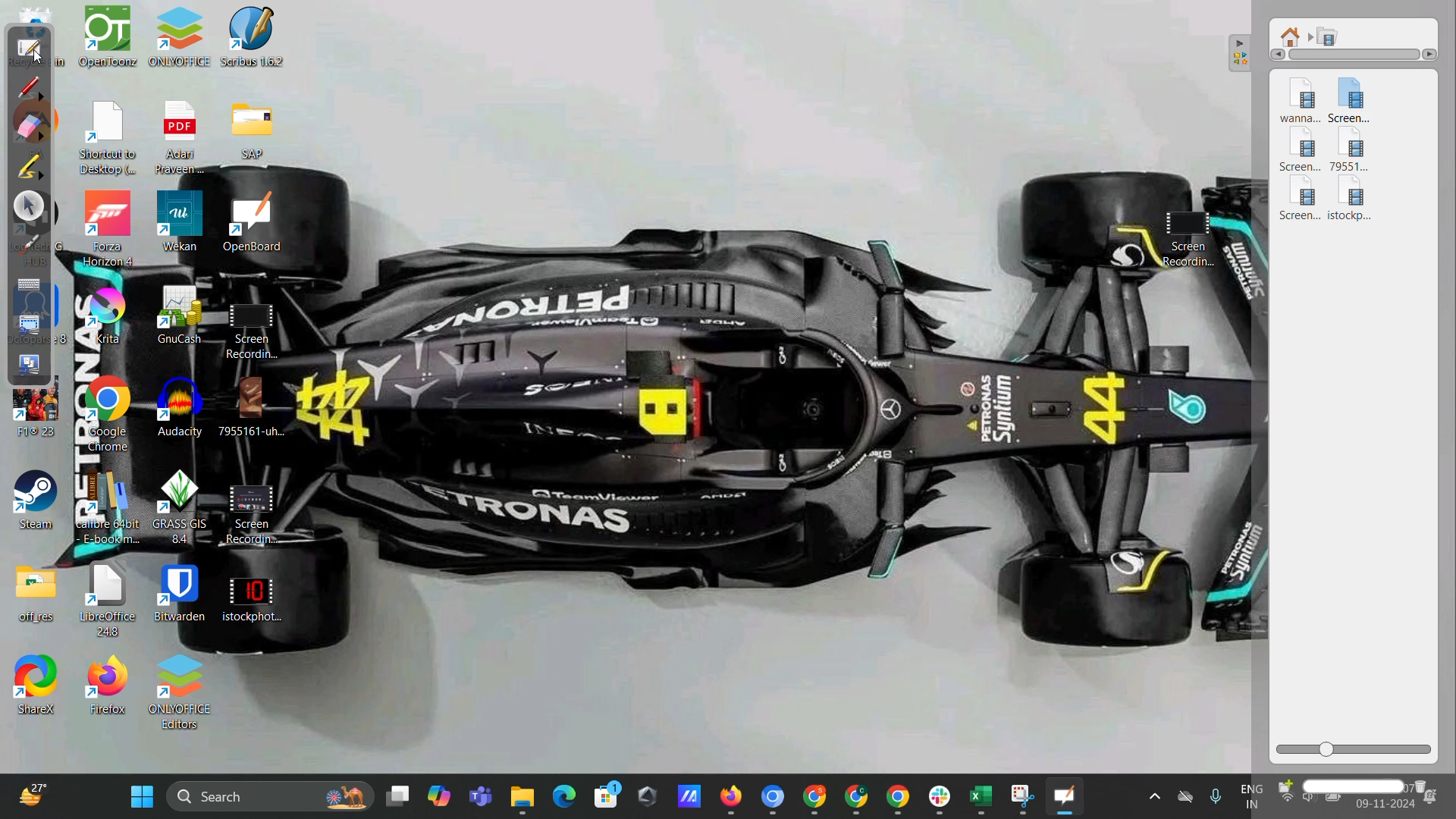 The width and height of the screenshot is (1456, 819). Describe the element at coordinates (979, 797) in the screenshot. I see `Minimized microsoft excel` at that location.